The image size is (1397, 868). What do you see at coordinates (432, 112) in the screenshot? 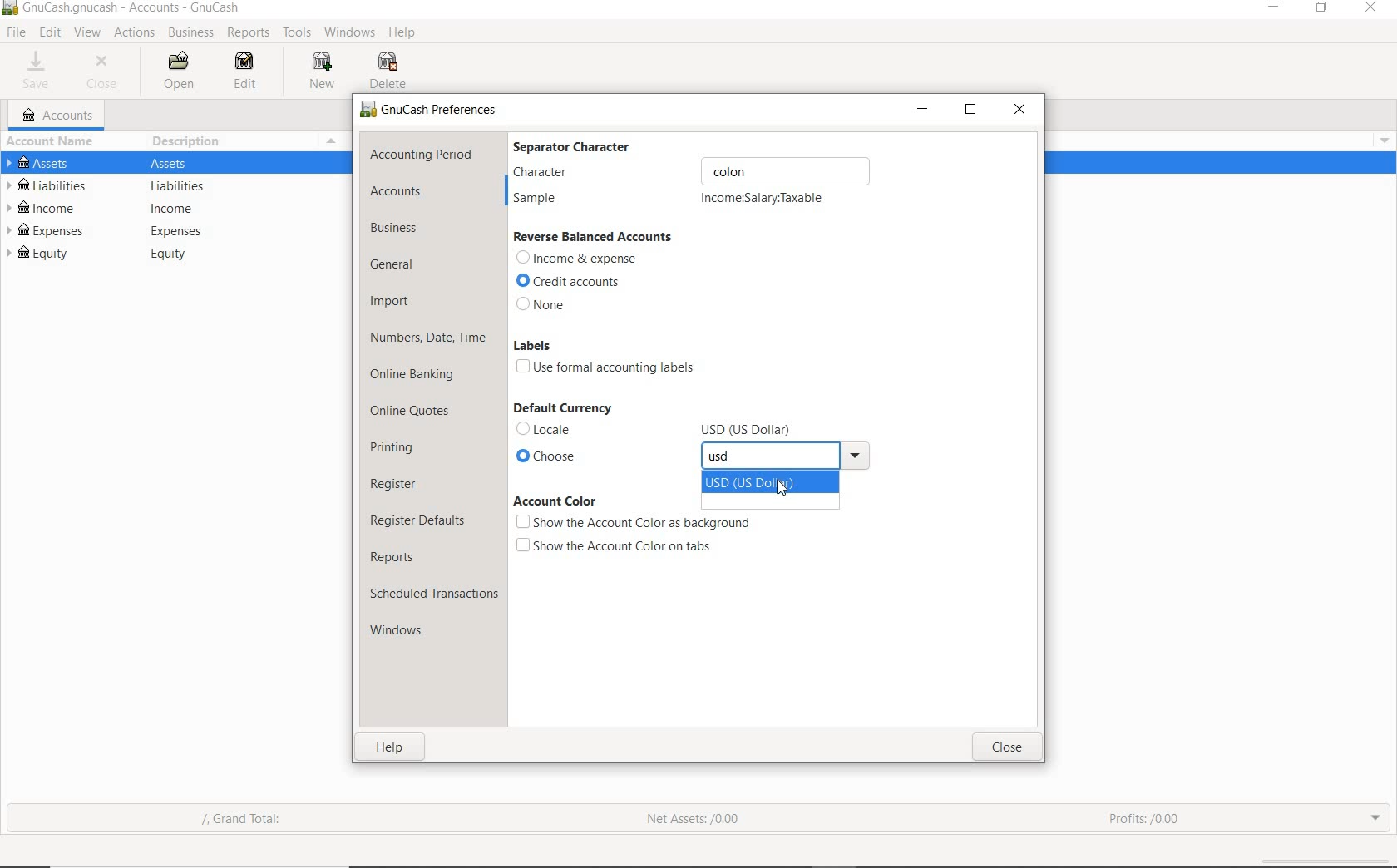
I see `preferences` at bounding box center [432, 112].